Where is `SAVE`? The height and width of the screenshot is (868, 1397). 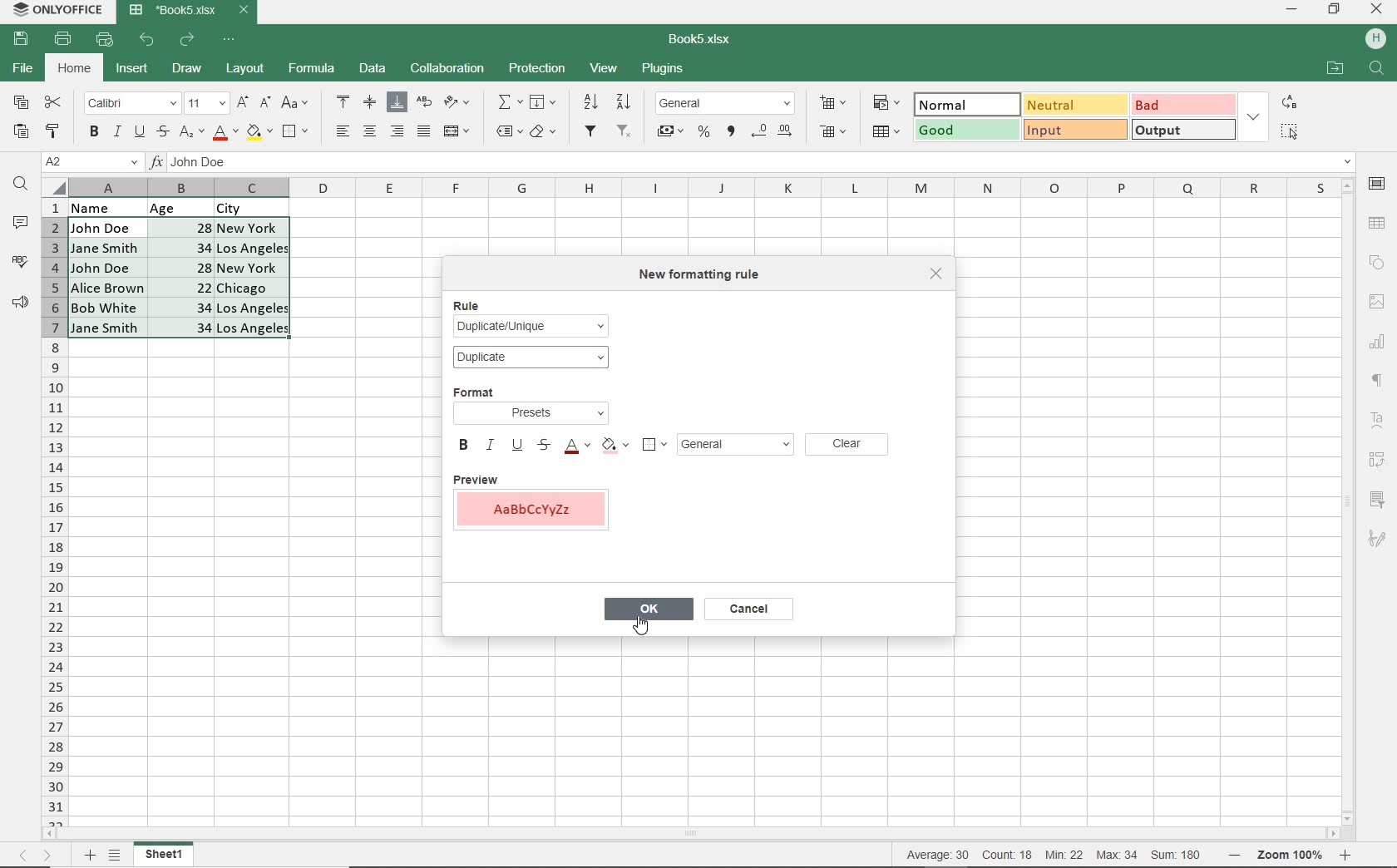
SAVE is located at coordinates (23, 37).